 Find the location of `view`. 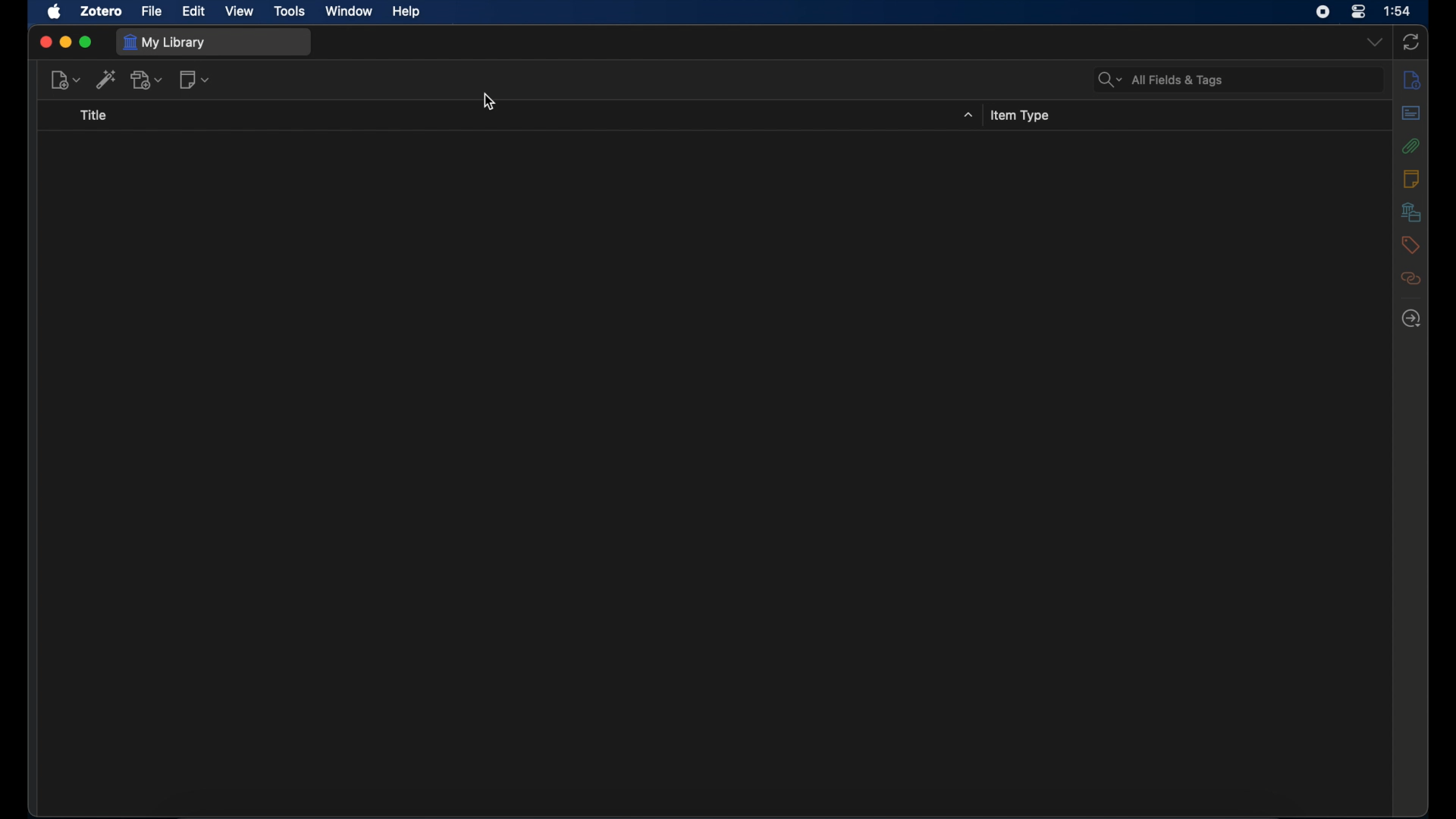

view is located at coordinates (240, 12).